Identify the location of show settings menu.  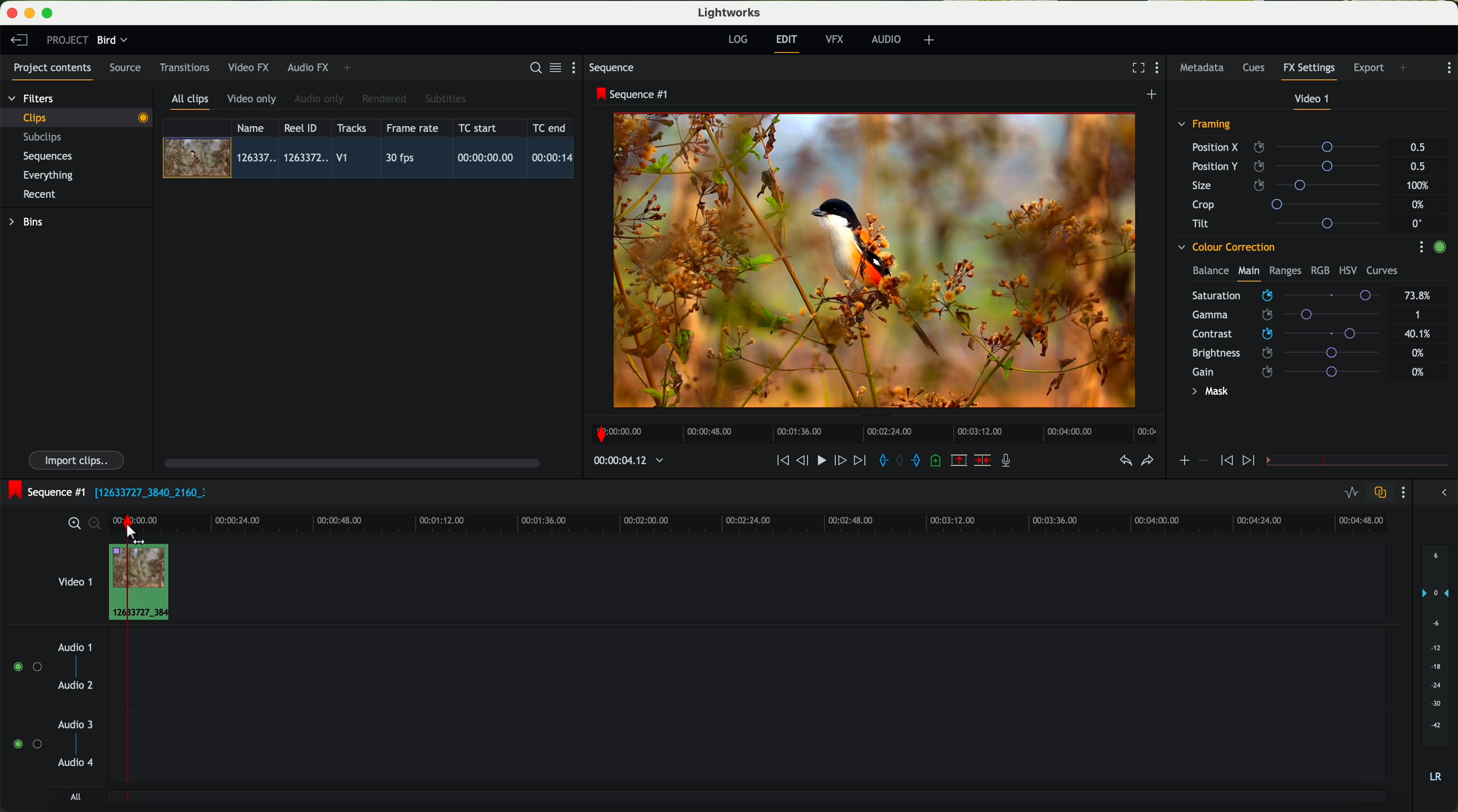
(1402, 492).